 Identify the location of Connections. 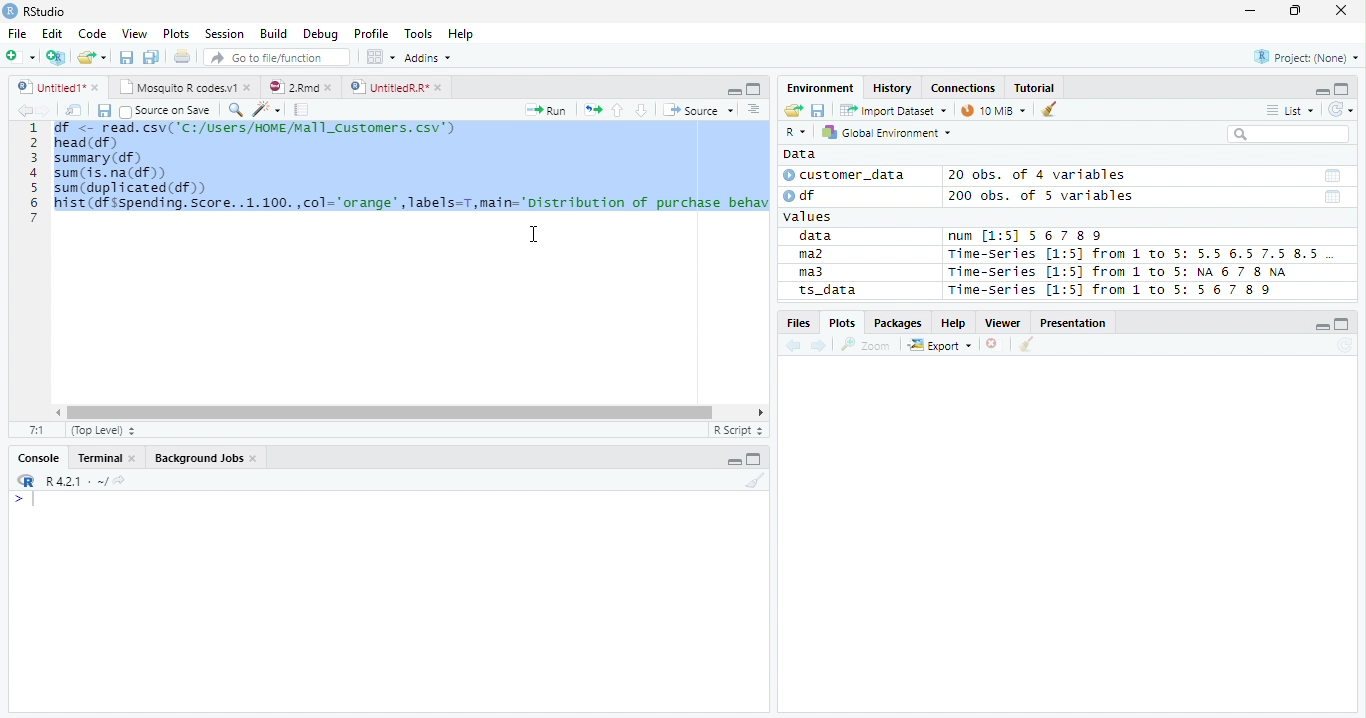
(963, 88).